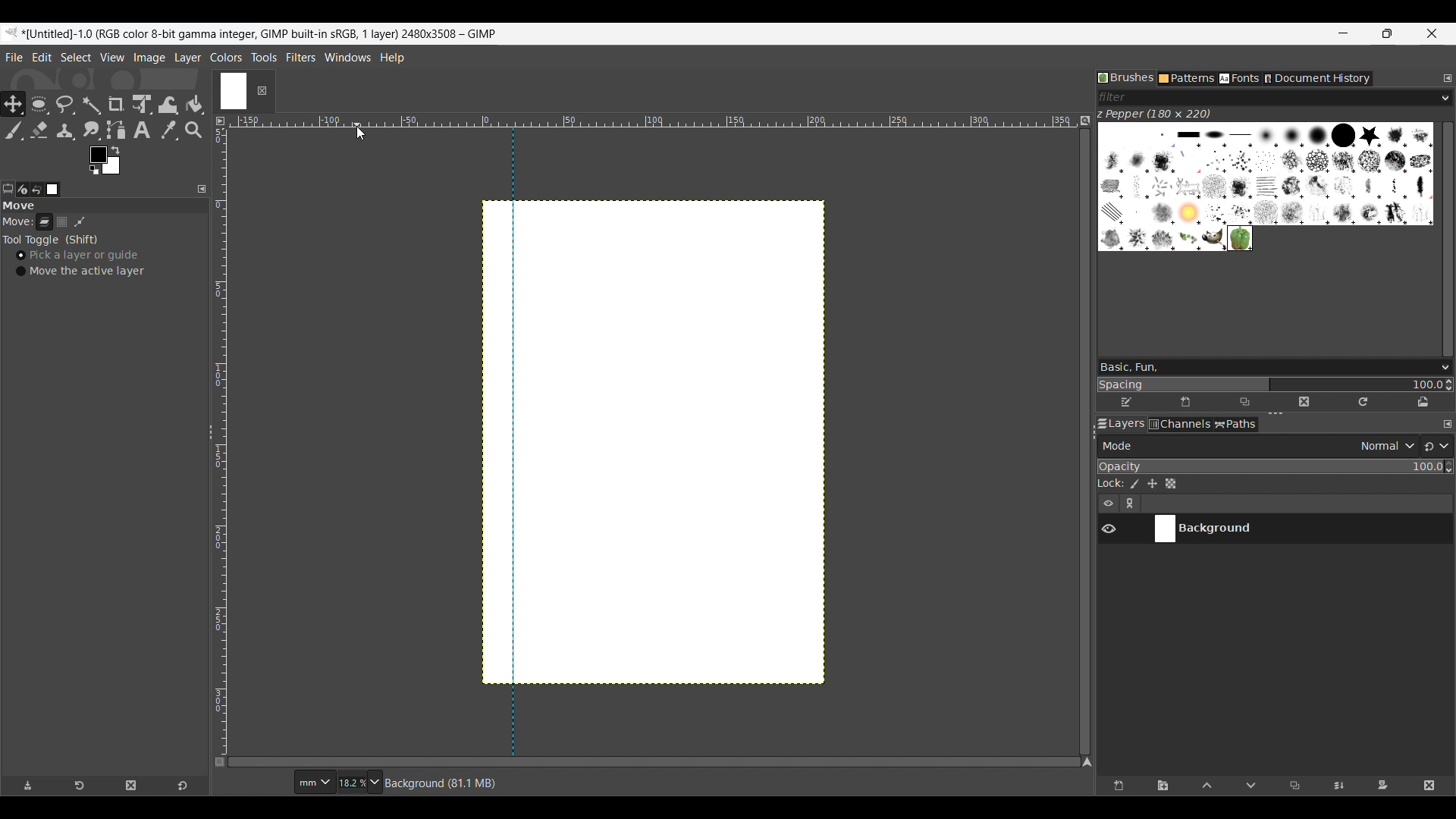 The width and height of the screenshot is (1456, 819). I want to click on Move layer one step up, so click(1207, 786).